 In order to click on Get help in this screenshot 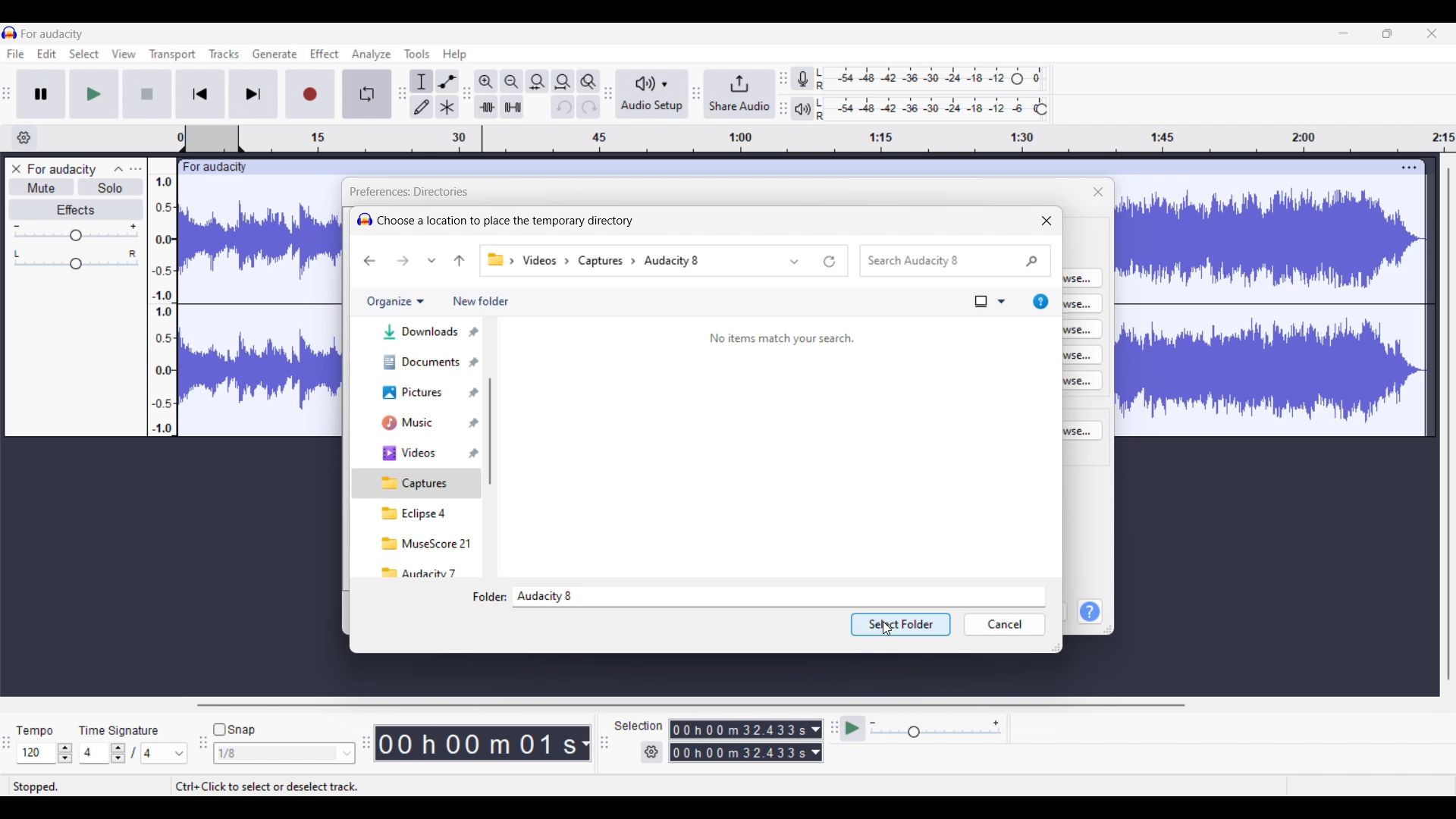, I will do `click(1041, 301)`.